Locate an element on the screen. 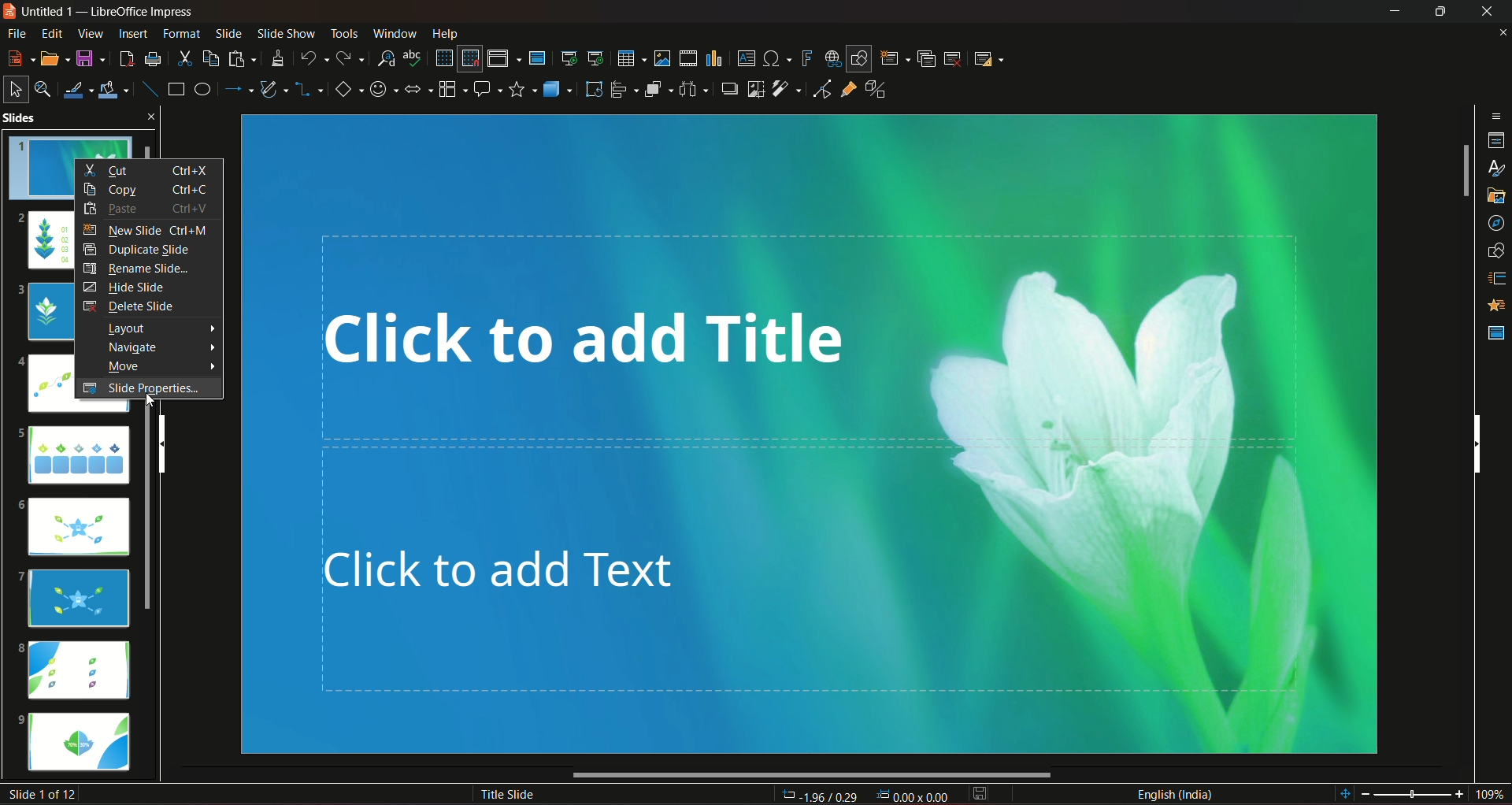 This screenshot has height=805, width=1512. table is located at coordinates (629, 57).